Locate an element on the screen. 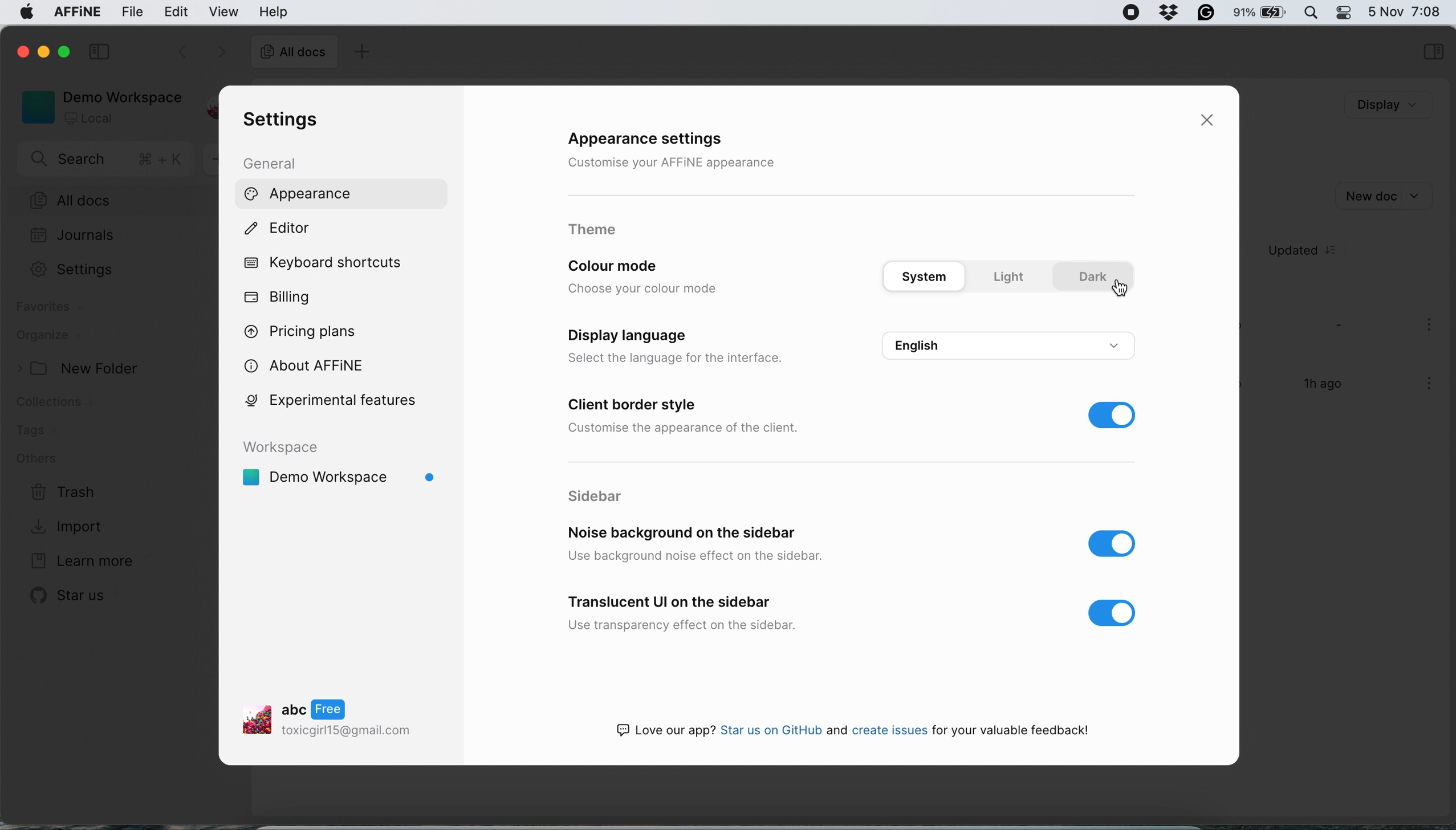 Image resolution: width=1456 pixels, height=830 pixels. editor is located at coordinates (280, 229).